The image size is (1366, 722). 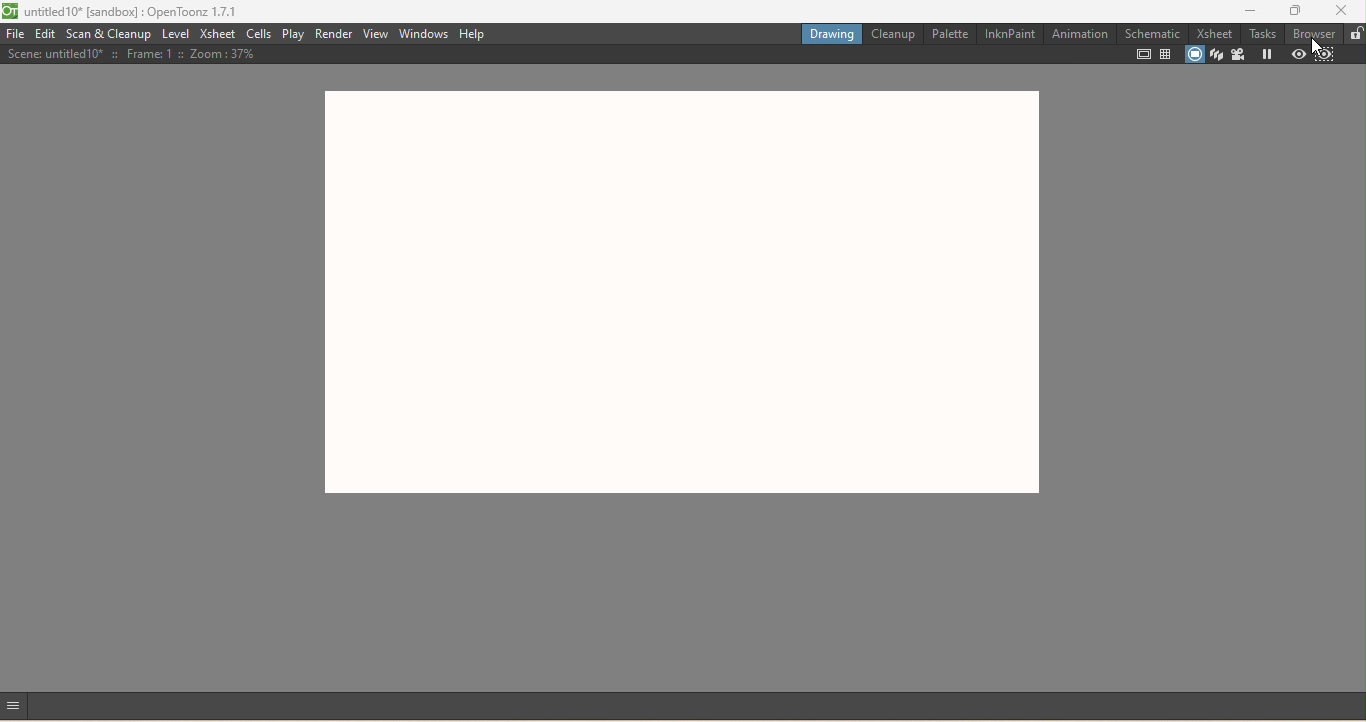 What do you see at coordinates (1263, 32) in the screenshot?
I see `Tasks` at bounding box center [1263, 32].